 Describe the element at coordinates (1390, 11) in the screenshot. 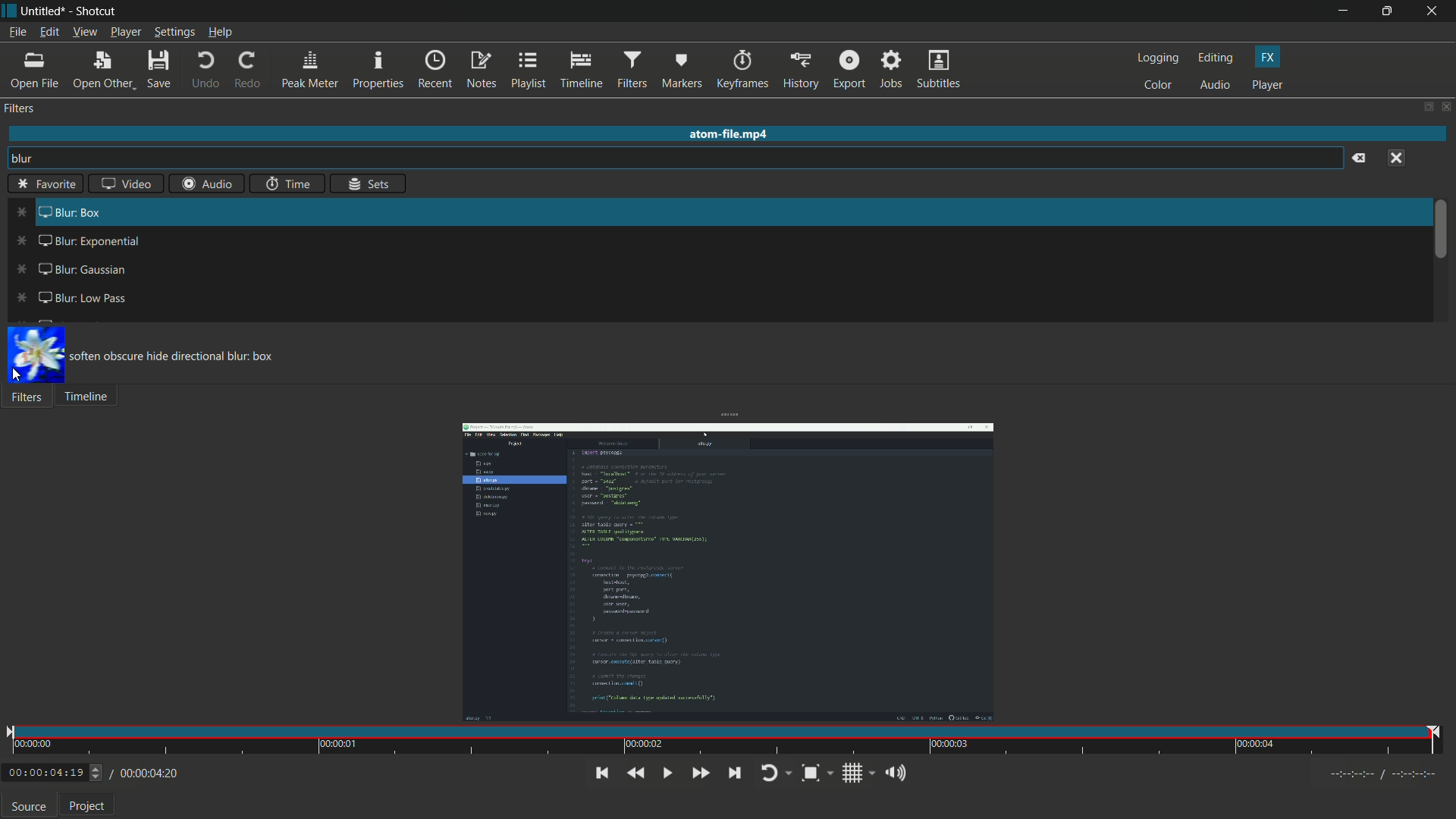

I see `maximize` at that location.